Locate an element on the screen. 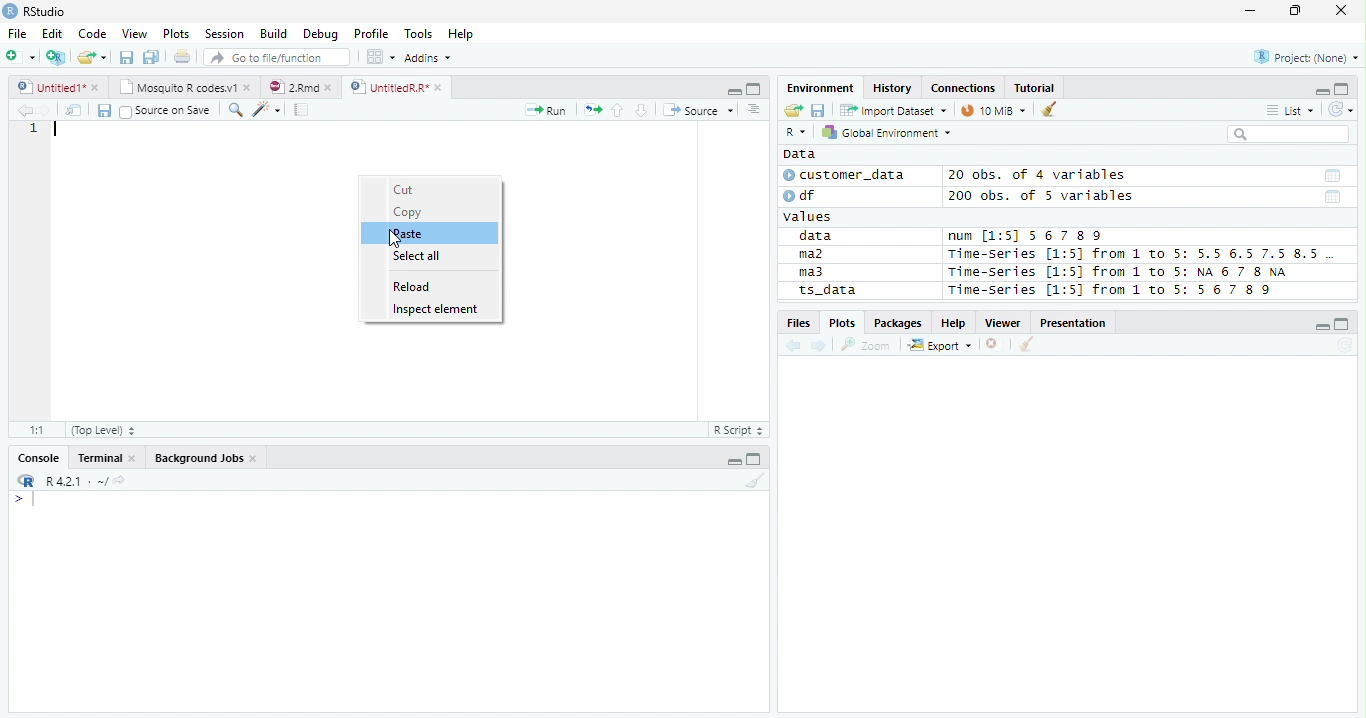 The width and height of the screenshot is (1366, 718). Tools is located at coordinates (422, 32).